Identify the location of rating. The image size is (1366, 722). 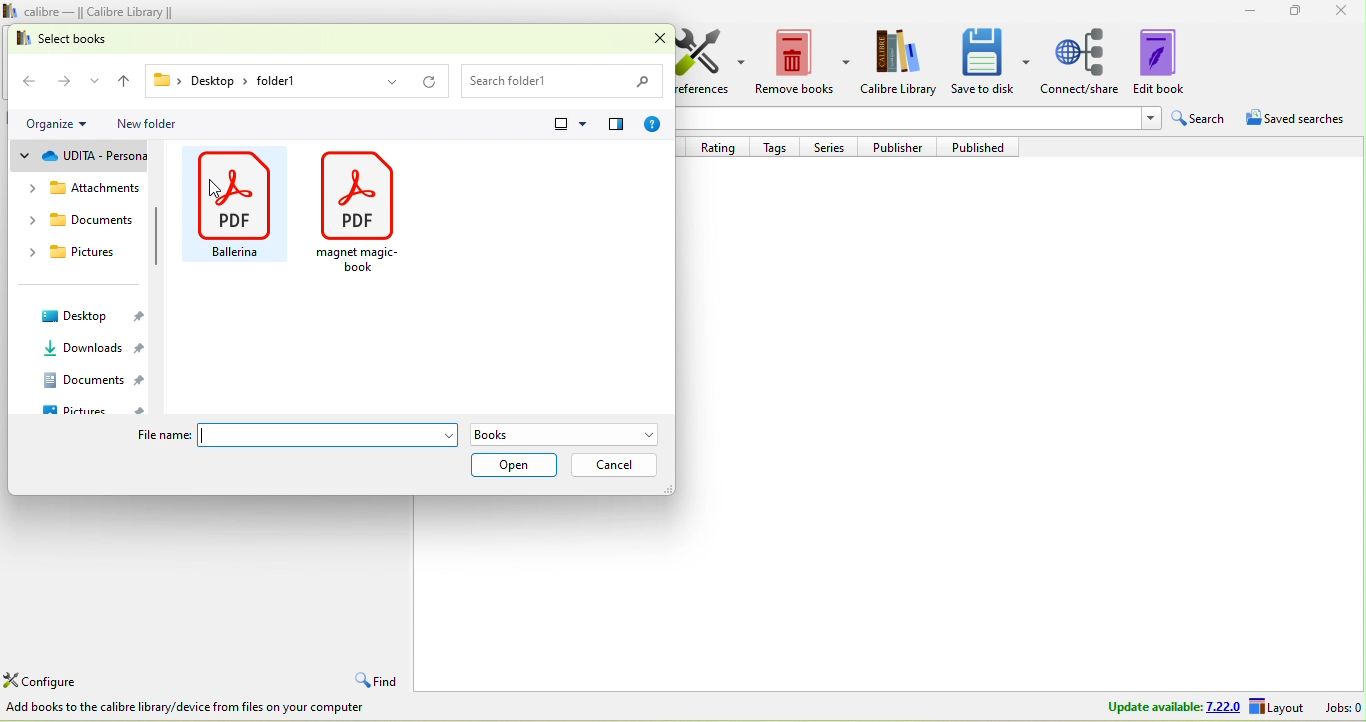
(724, 147).